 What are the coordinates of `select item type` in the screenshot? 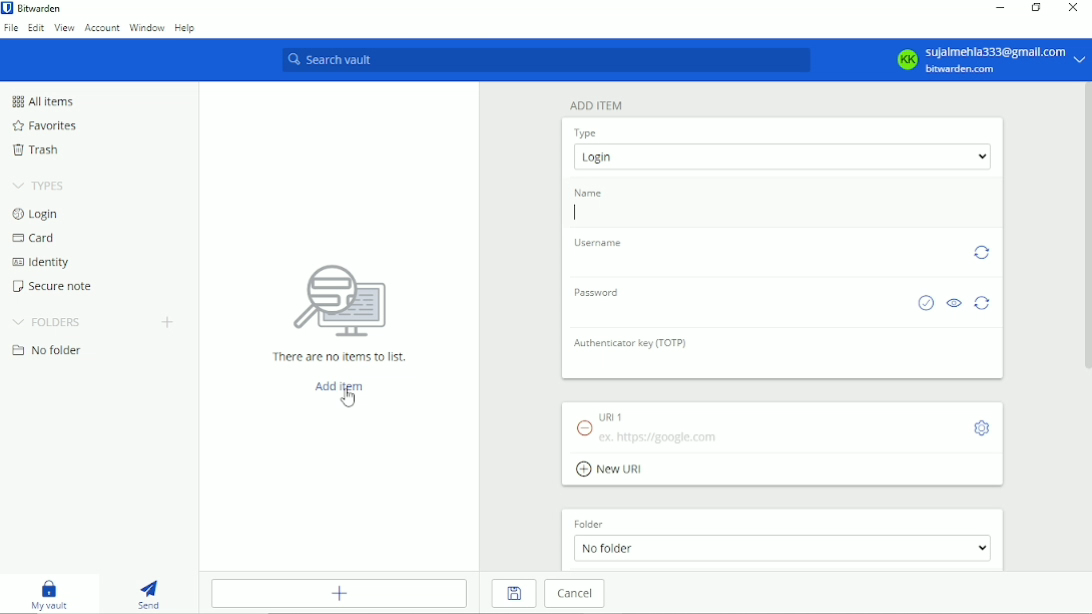 It's located at (782, 157).